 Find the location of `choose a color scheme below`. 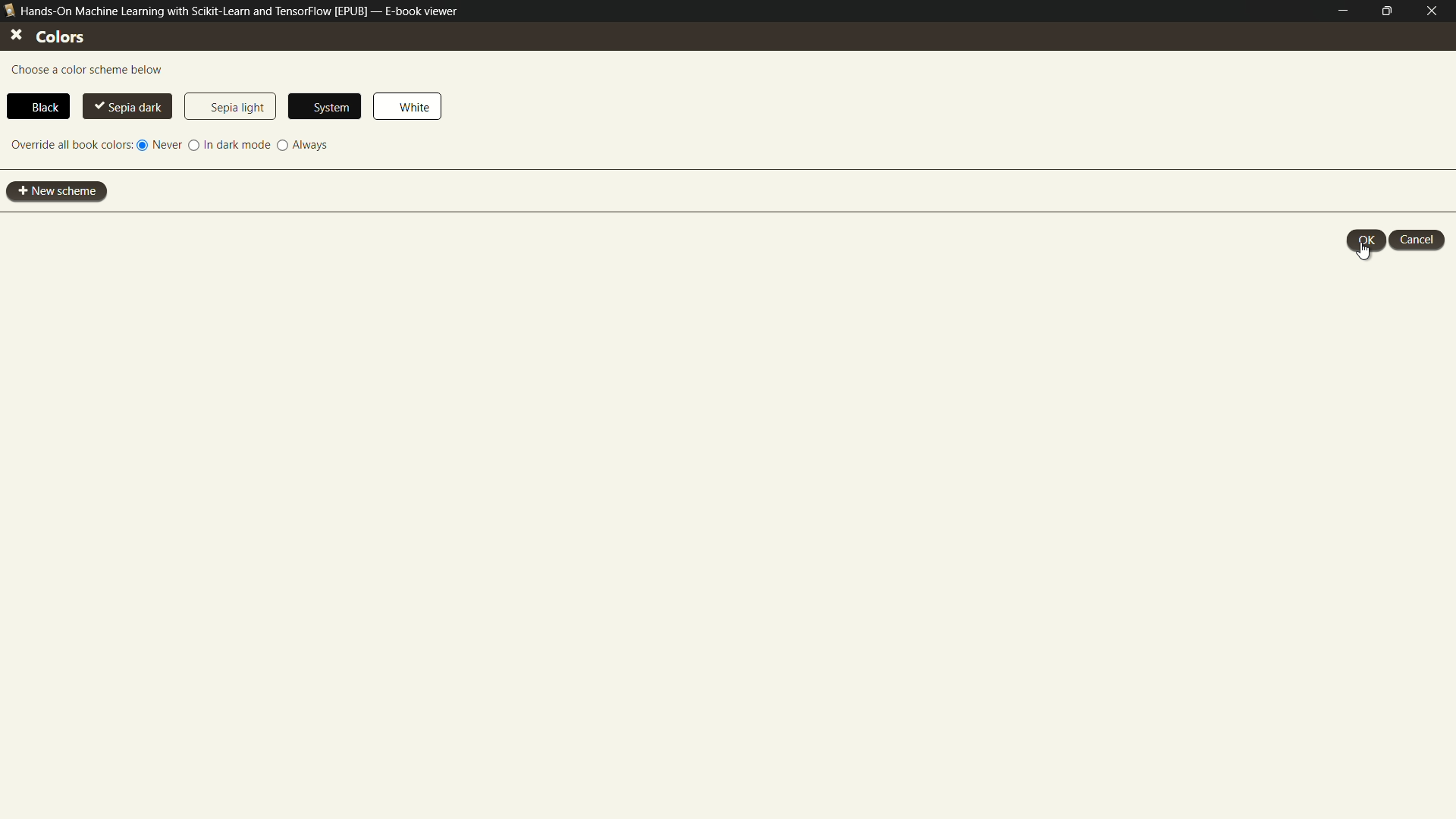

choose a color scheme below is located at coordinates (83, 69).